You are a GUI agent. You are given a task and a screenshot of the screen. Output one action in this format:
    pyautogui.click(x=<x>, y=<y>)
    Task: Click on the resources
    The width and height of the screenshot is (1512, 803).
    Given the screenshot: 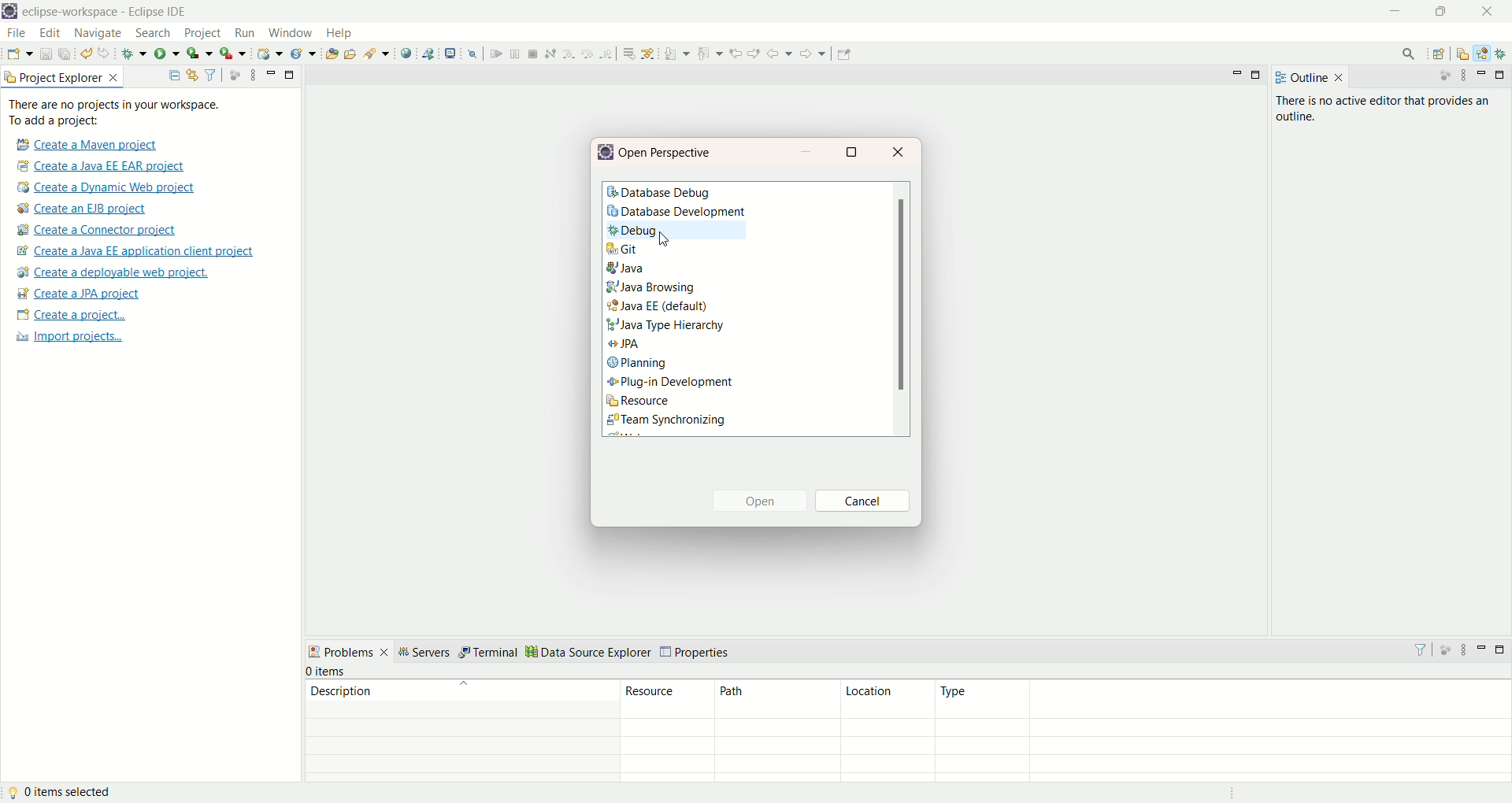 What is the action you would take?
    pyautogui.click(x=1464, y=55)
    